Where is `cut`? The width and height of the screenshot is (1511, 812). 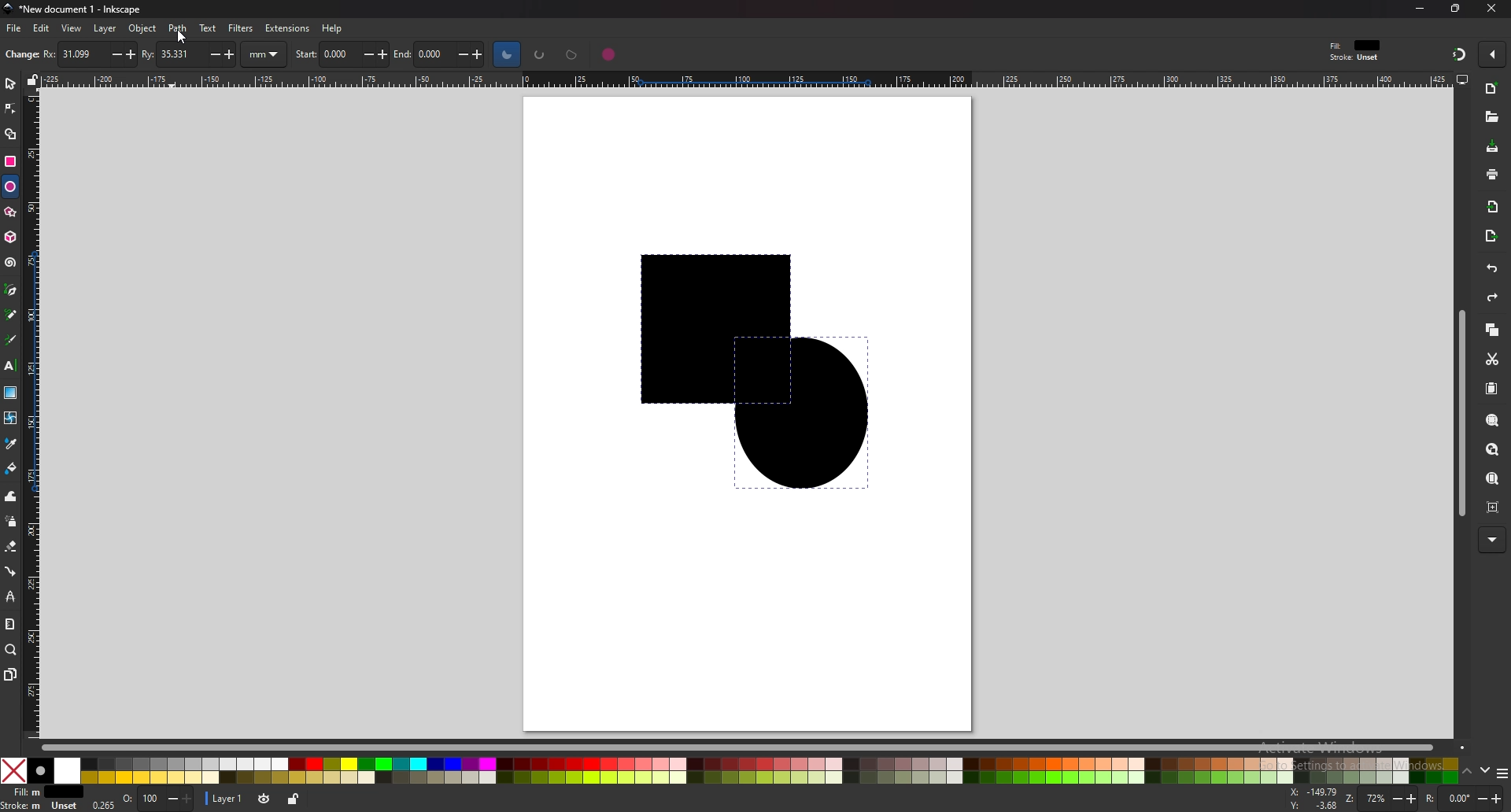
cut is located at coordinates (1493, 360).